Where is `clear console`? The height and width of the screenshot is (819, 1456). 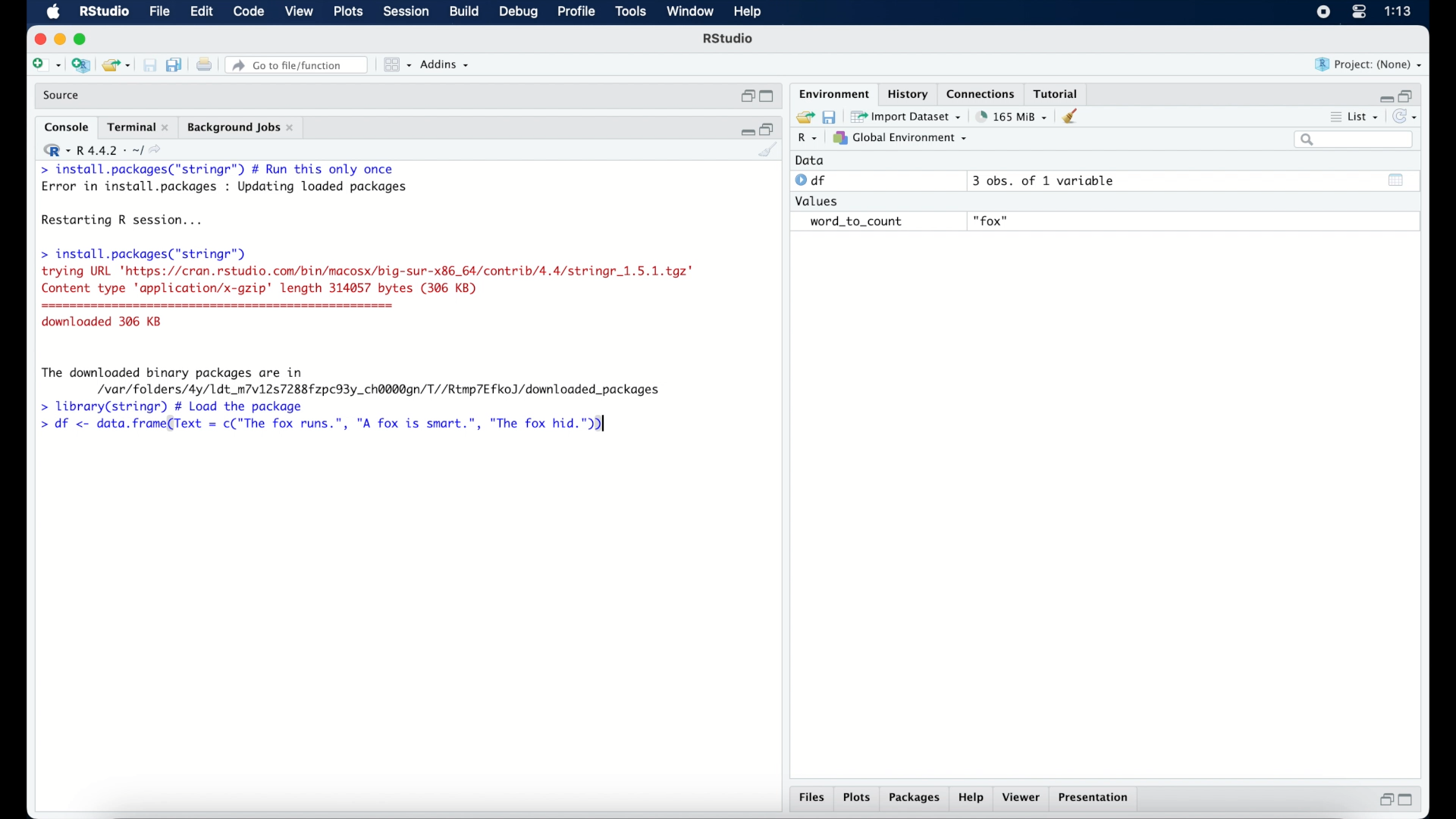 clear console is located at coordinates (769, 151).